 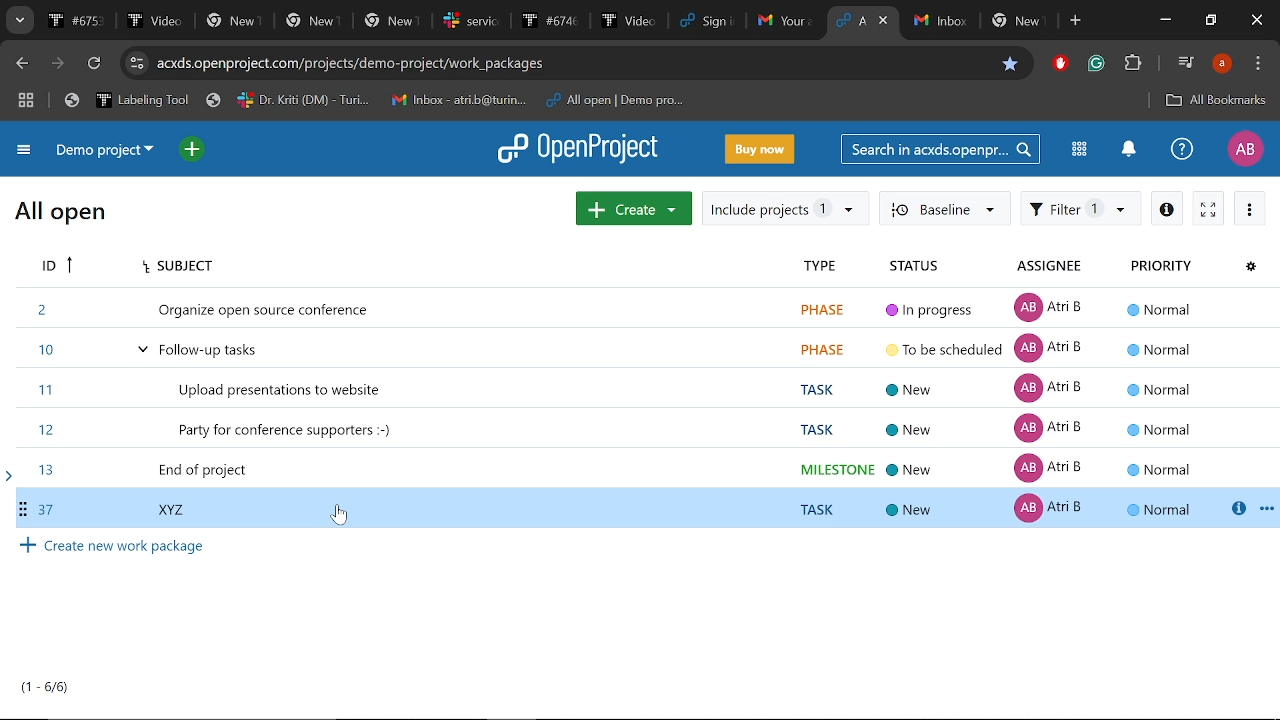 I want to click on profile, so click(x=1222, y=63).